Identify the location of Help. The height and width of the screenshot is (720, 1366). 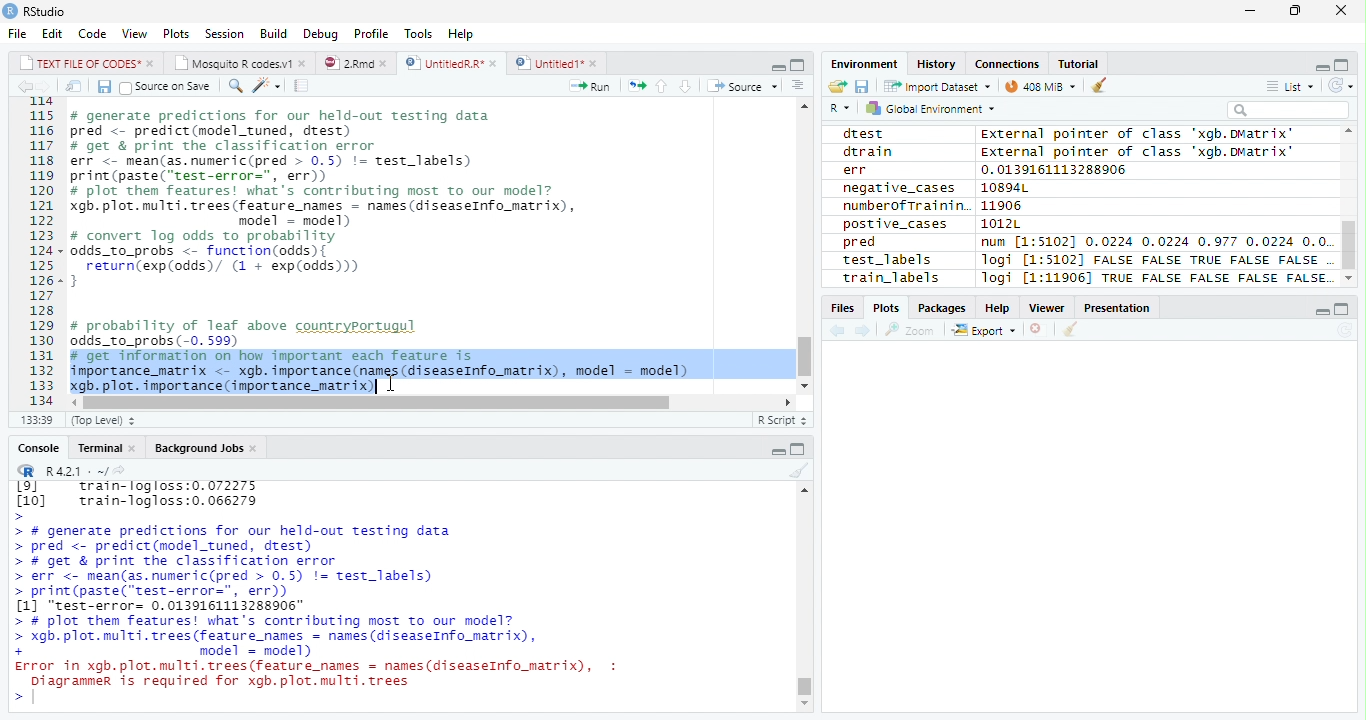
(463, 36).